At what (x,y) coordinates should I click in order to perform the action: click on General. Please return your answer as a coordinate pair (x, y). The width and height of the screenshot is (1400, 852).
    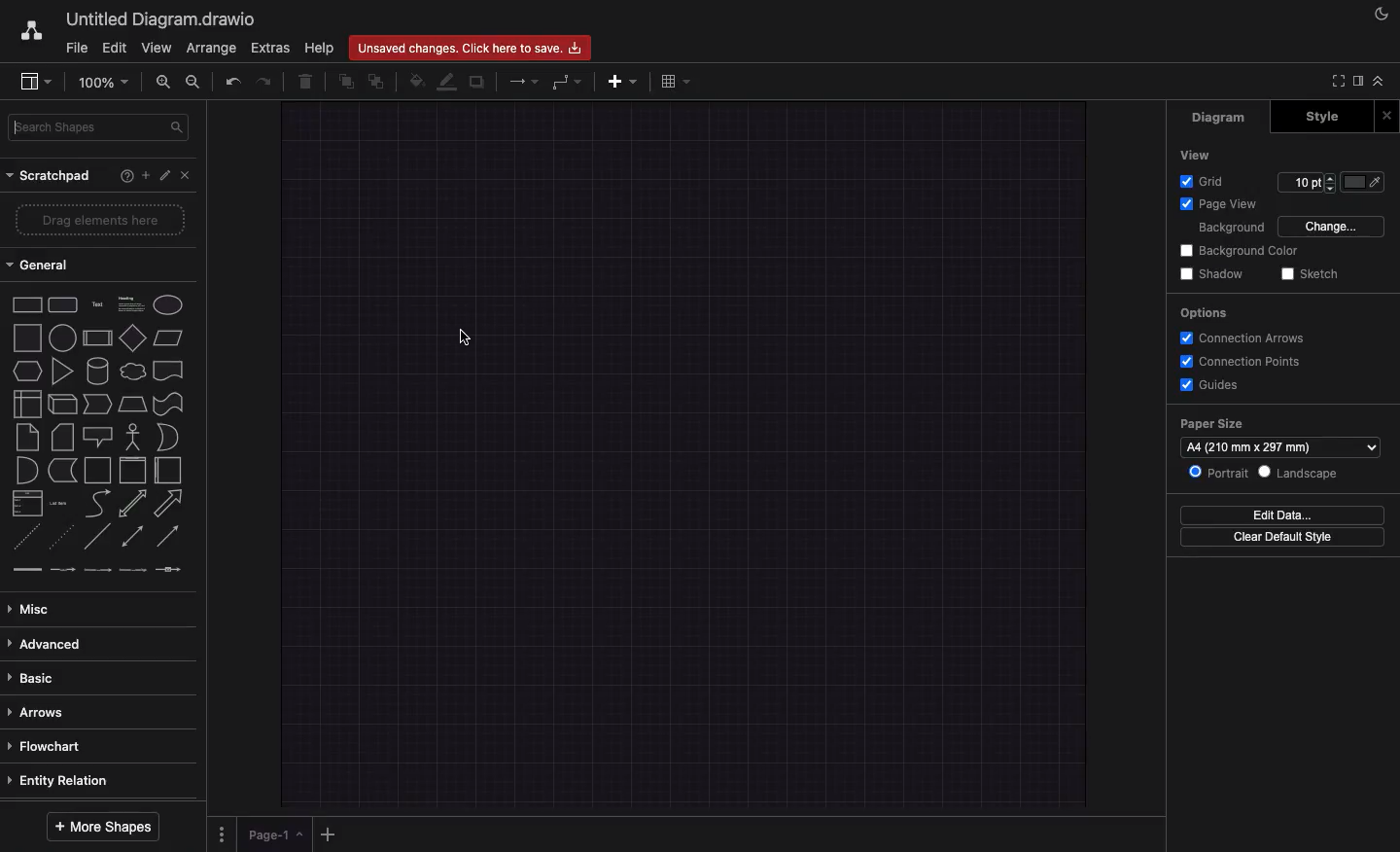
    Looking at the image, I should click on (44, 265).